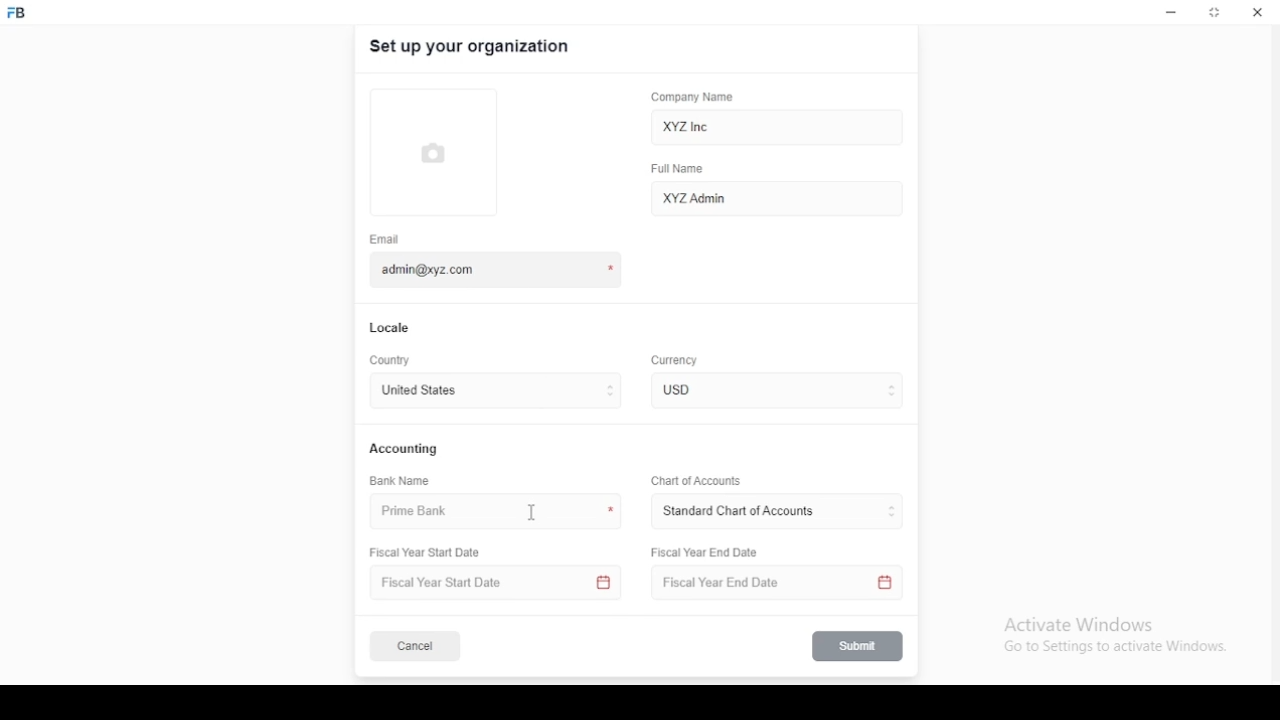 The height and width of the screenshot is (720, 1280). I want to click on Fiscal Year End Date, so click(771, 583).